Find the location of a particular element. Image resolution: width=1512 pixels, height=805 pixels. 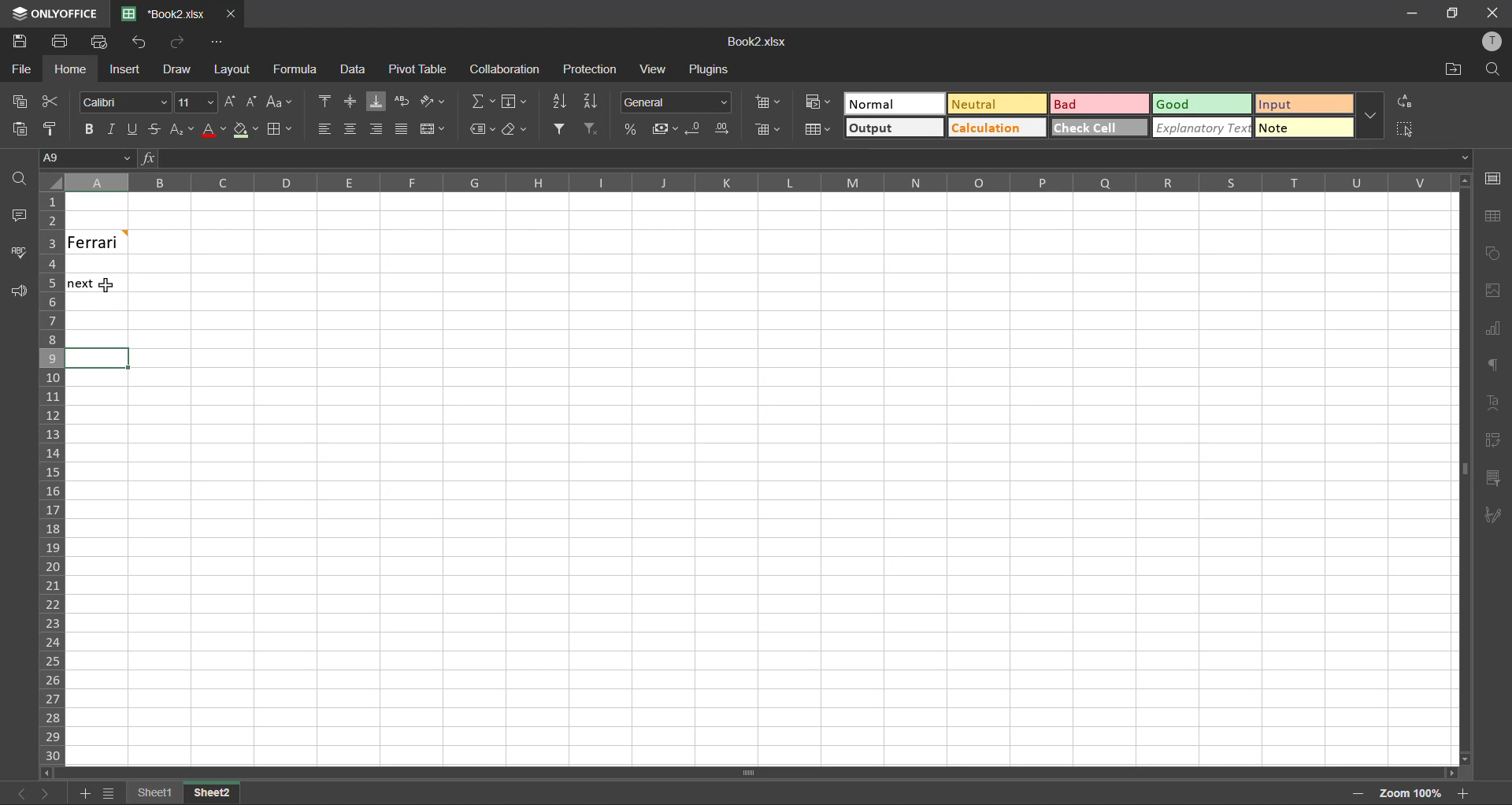

file name is located at coordinates (170, 14).